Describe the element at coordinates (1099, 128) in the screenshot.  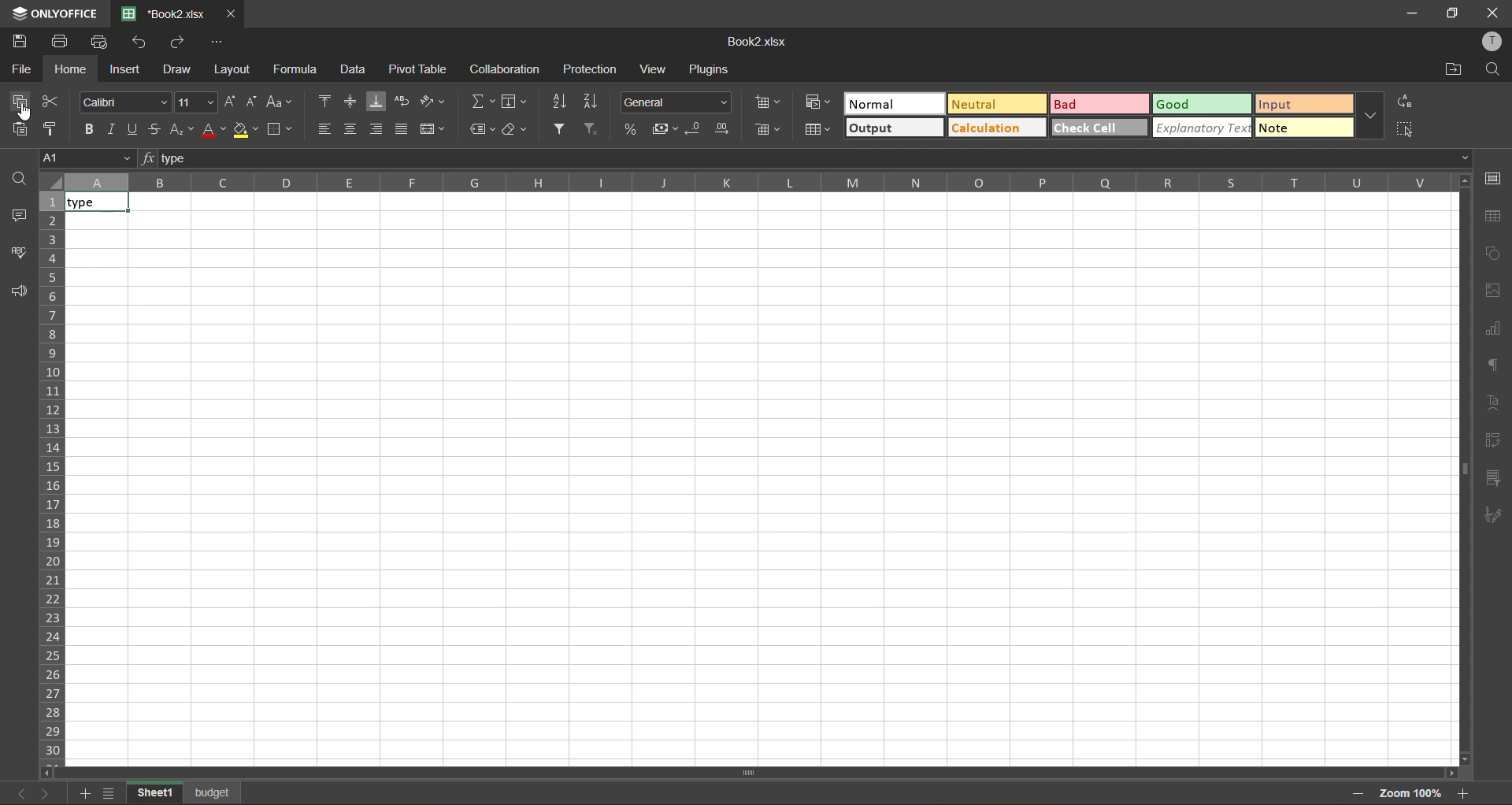
I see `check cell` at that location.